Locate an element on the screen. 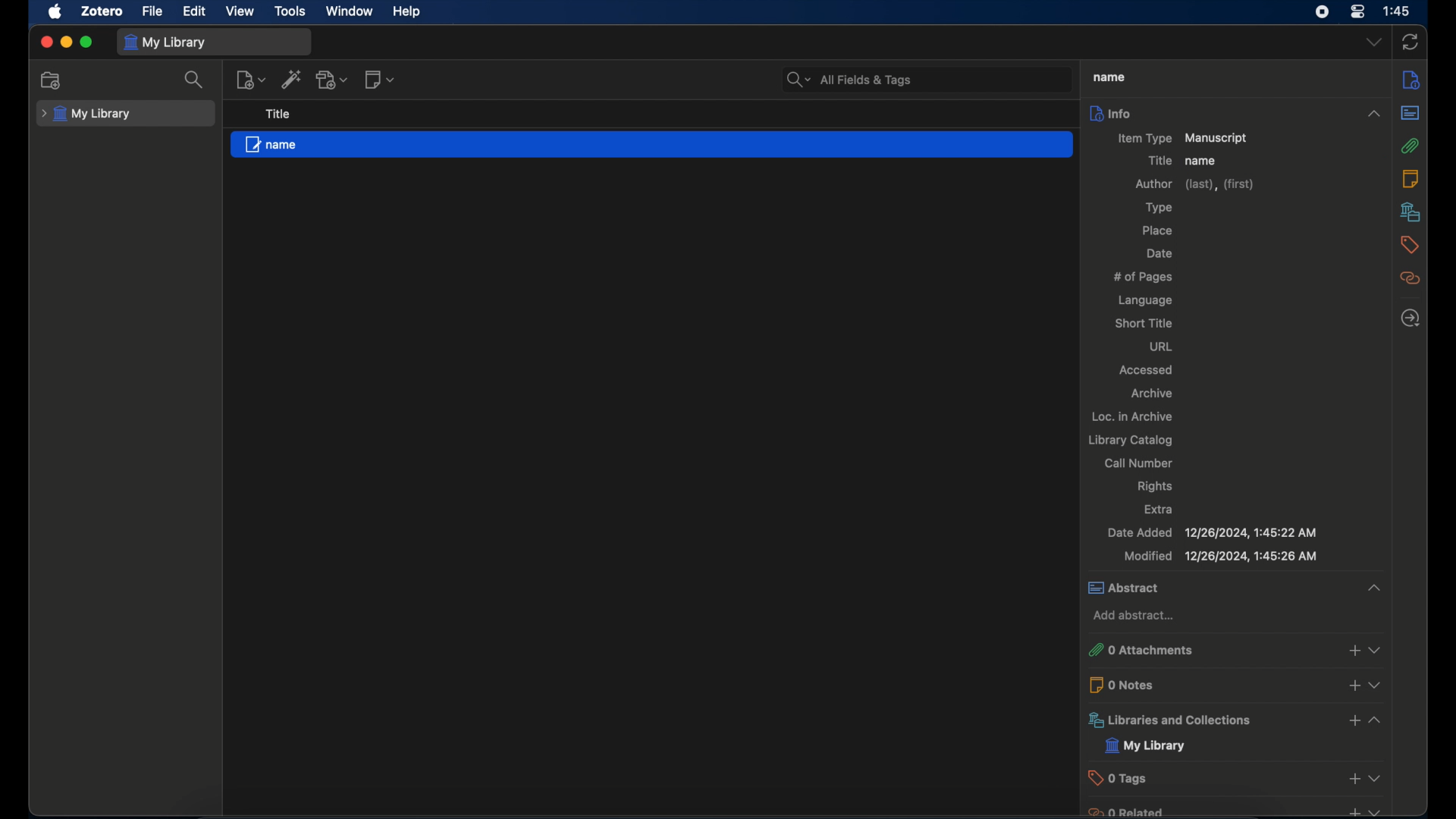 The image size is (1456, 819). apple is located at coordinates (54, 11).